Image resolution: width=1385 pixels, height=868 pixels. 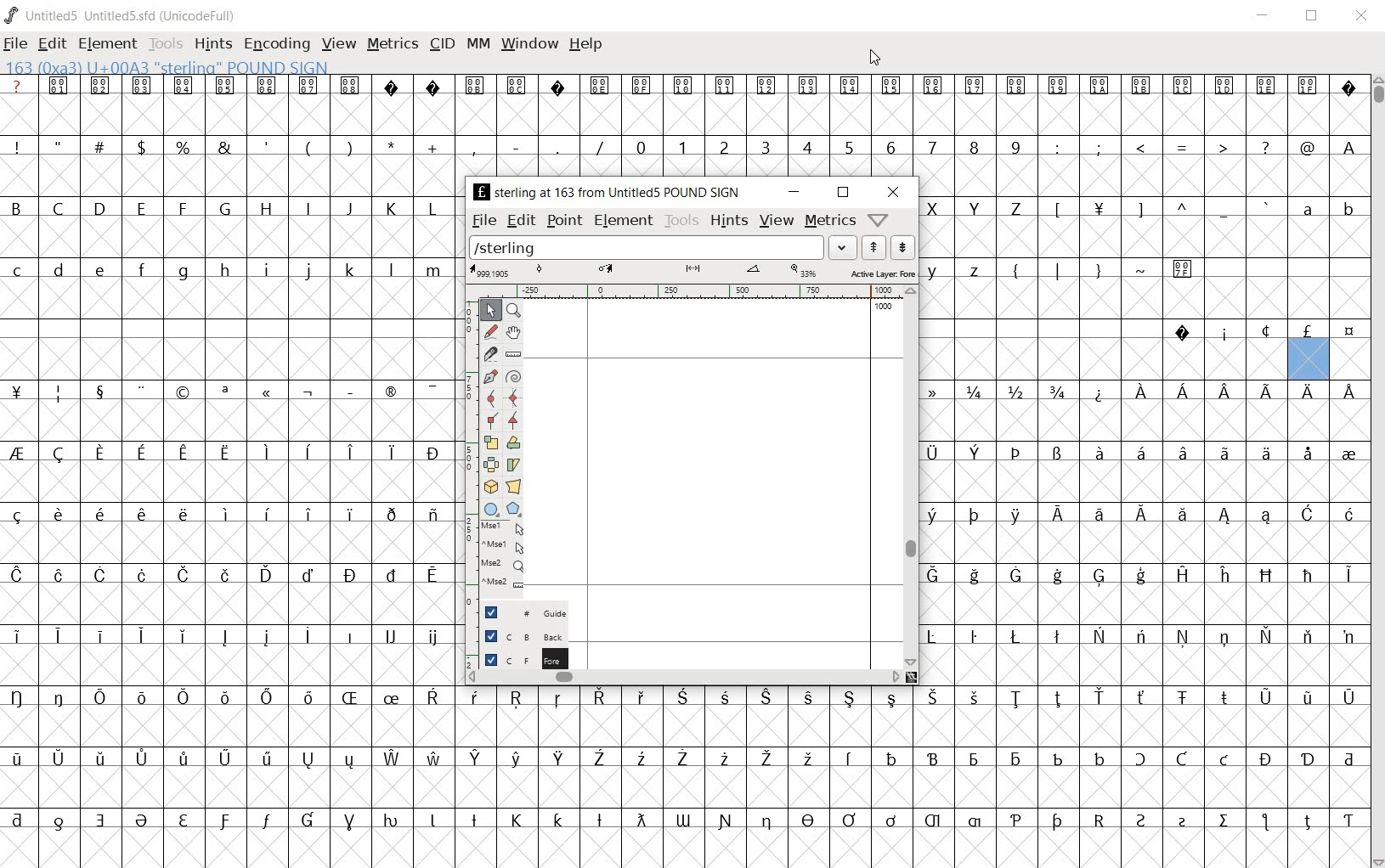 What do you see at coordinates (100, 272) in the screenshot?
I see `` at bounding box center [100, 272].